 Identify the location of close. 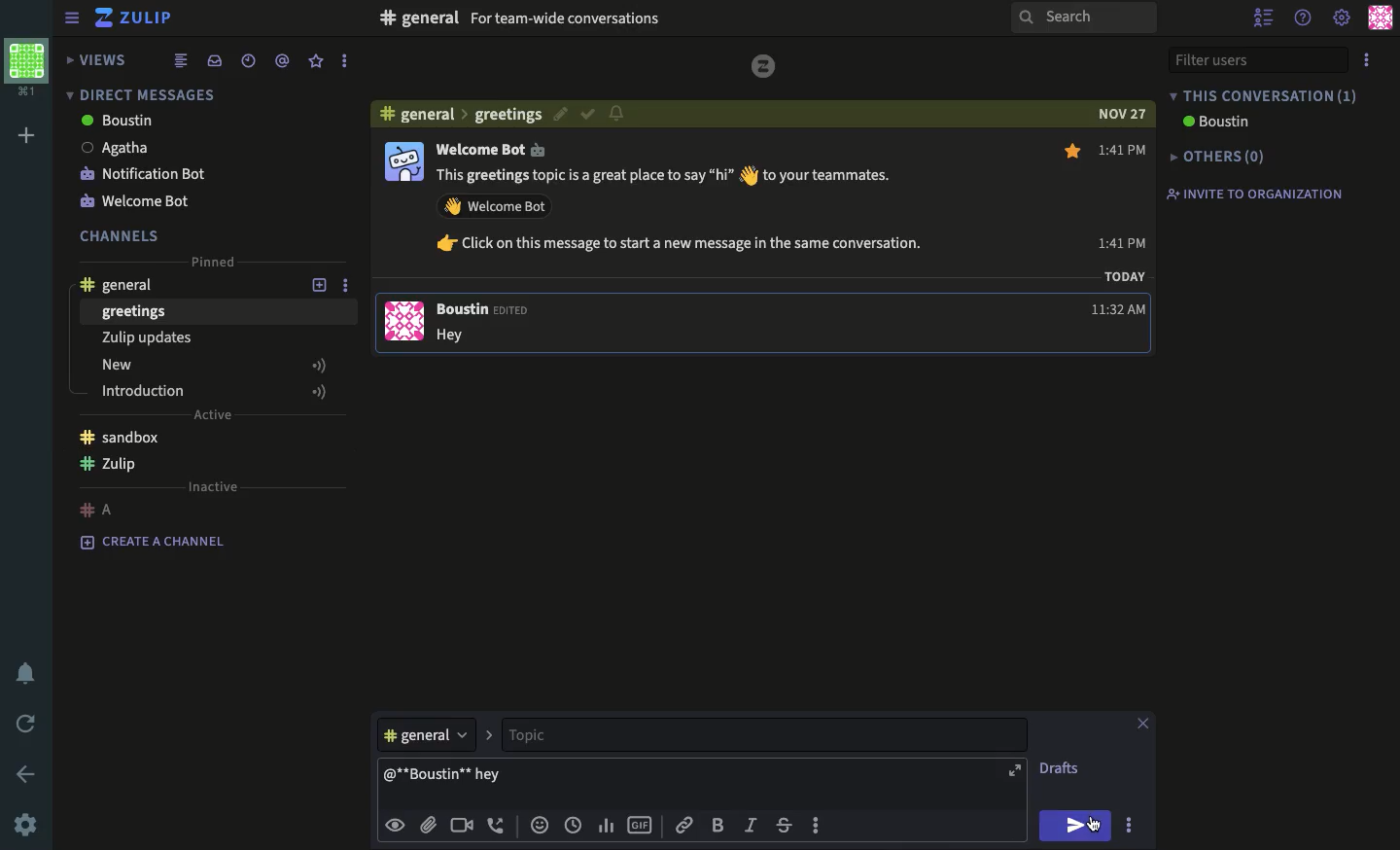
(1143, 724).